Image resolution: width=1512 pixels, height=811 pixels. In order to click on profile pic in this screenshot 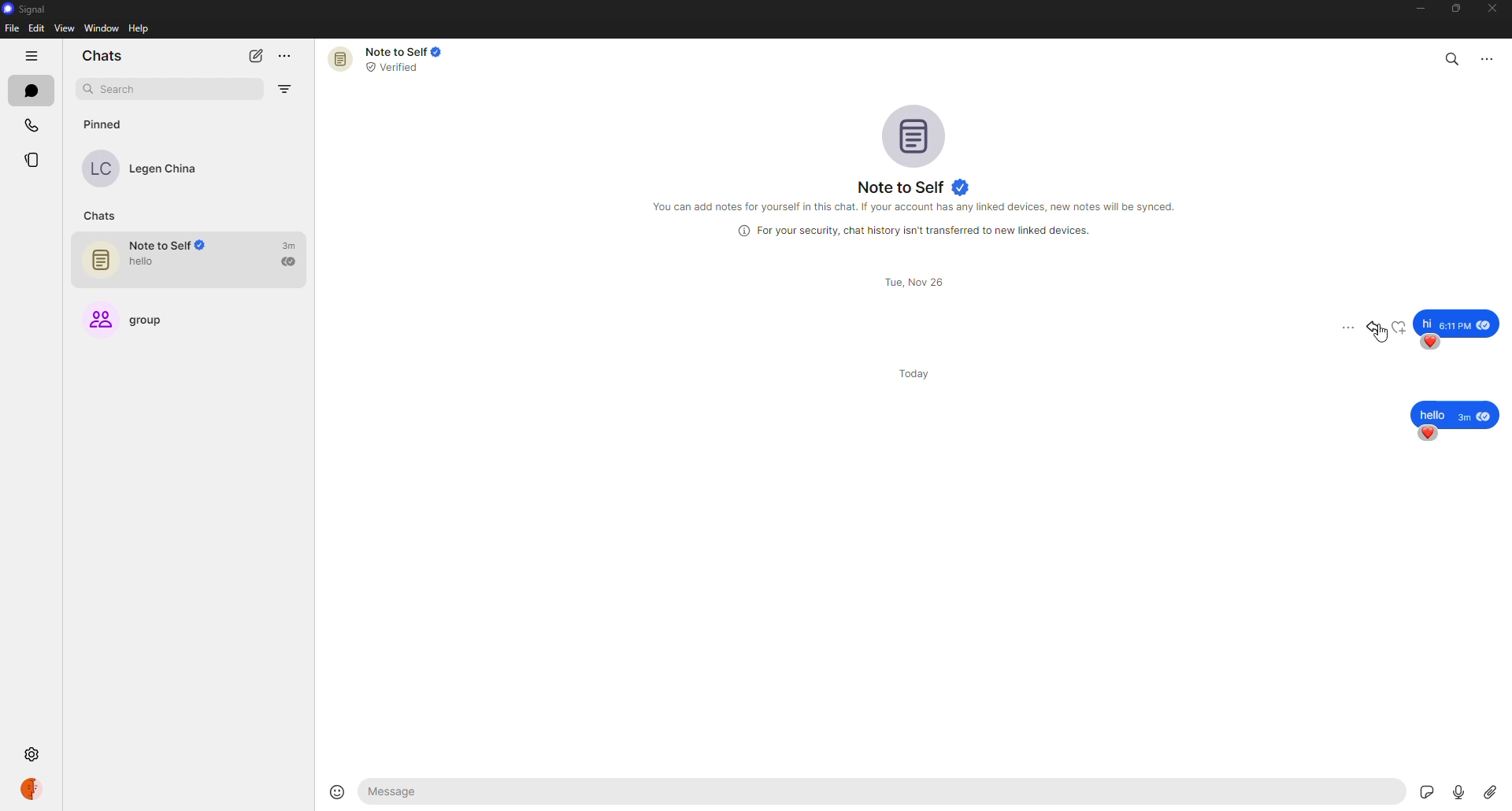, I will do `click(912, 131)`.